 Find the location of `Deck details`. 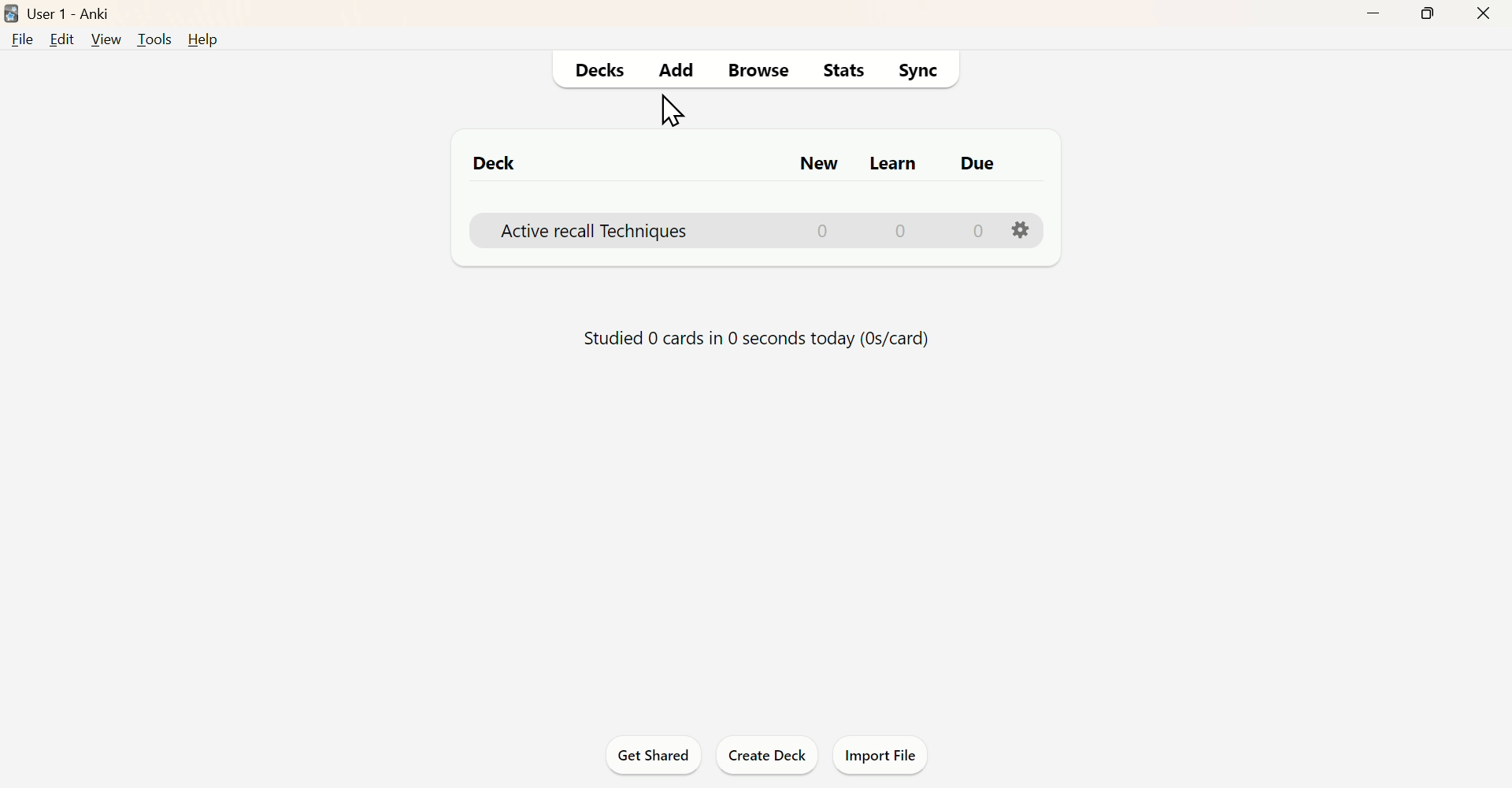

Deck details is located at coordinates (770, 229).